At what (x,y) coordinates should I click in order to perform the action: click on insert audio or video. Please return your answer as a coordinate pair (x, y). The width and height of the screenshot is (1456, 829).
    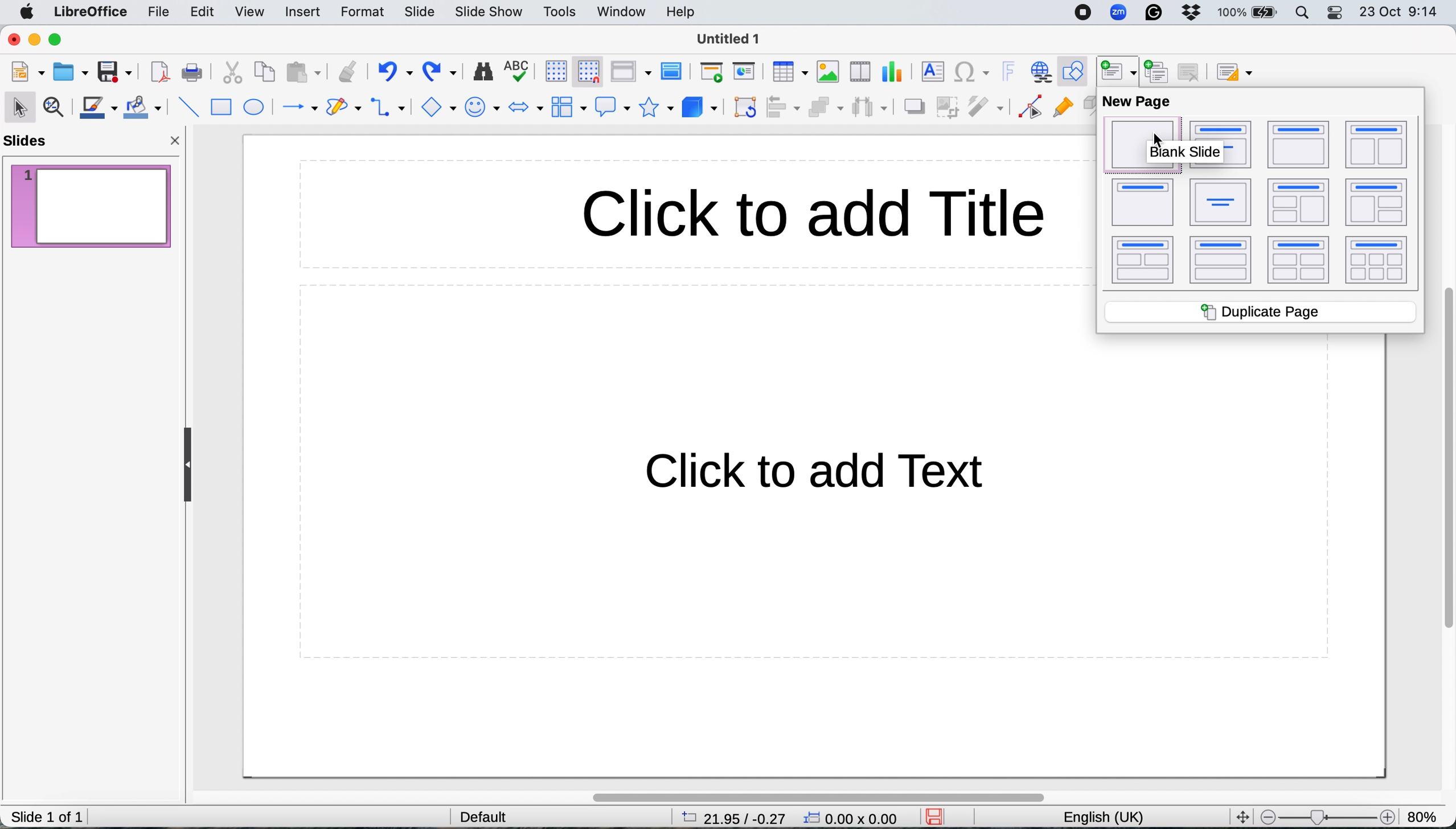
    Looking at the image, I should click on (858, 72).